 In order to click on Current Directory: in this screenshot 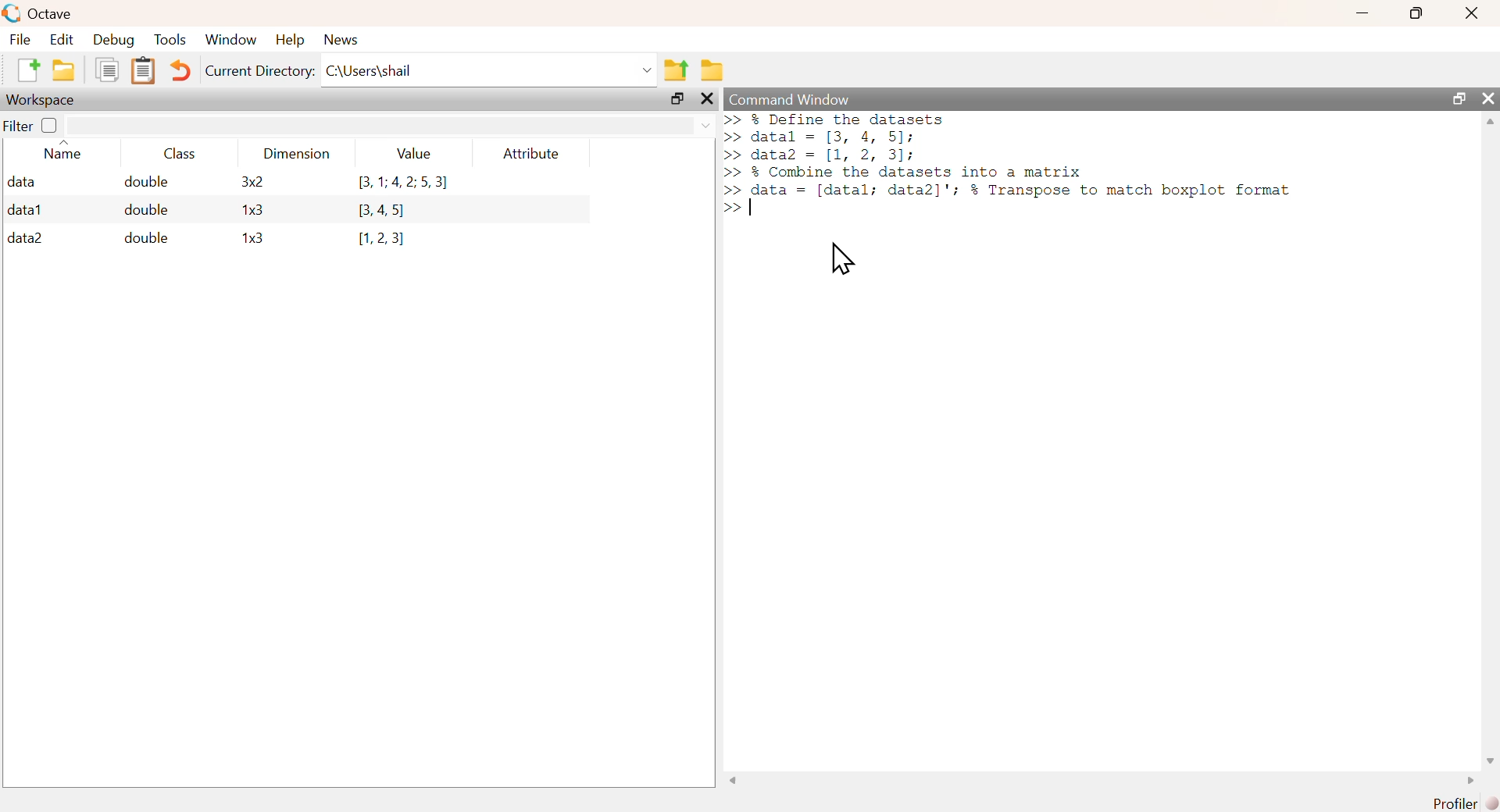, I will do `click(261, 72)`.